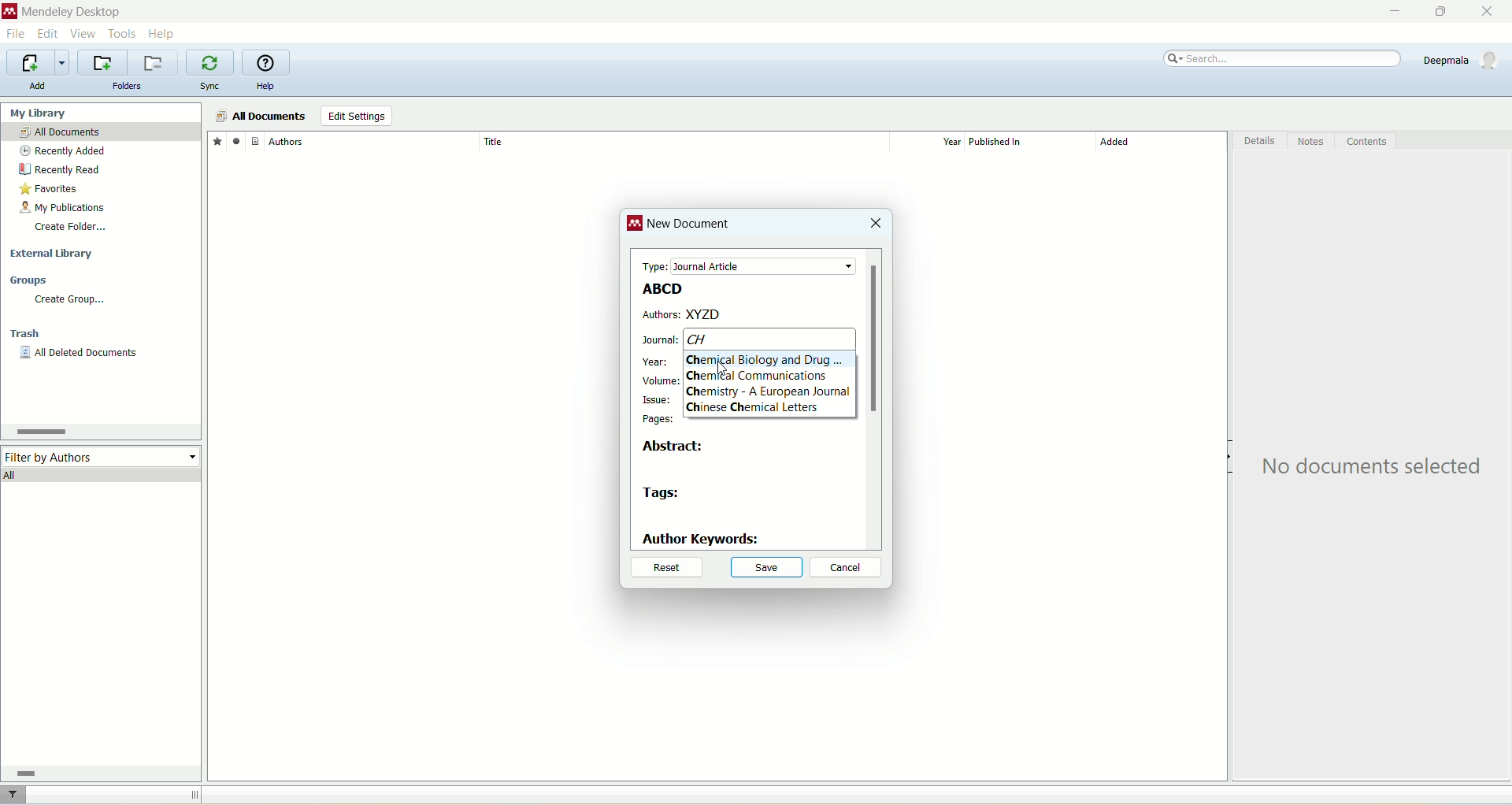 The height and width of the screenshot is (805, 1512). Describe the element at coordinates (876, 399) in the screenshot. I see `vertical scroll bar` at that location.